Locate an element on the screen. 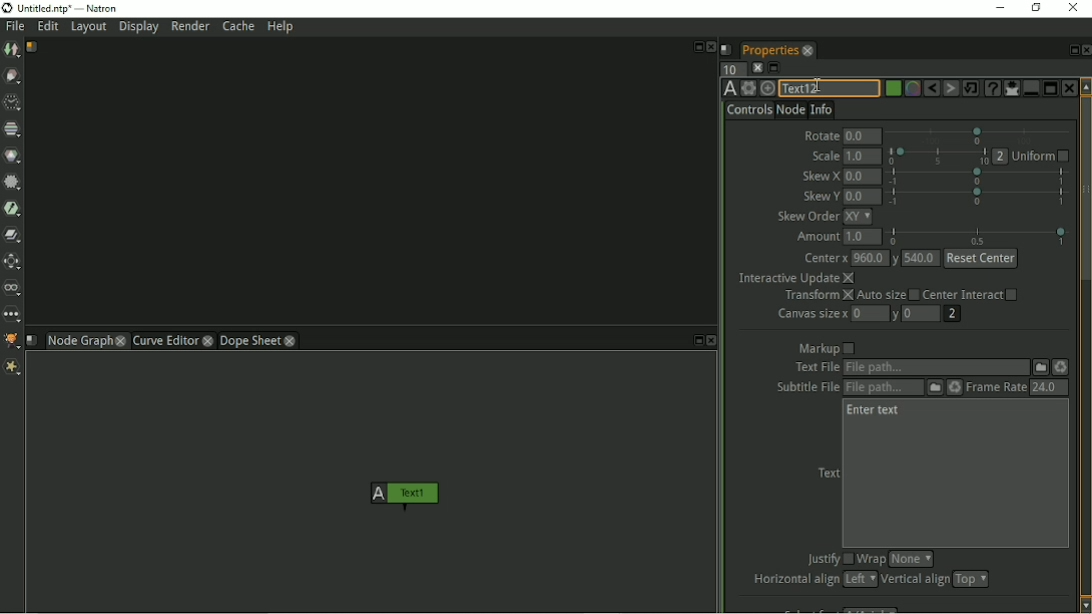  none is located at coordinates (911, 559).